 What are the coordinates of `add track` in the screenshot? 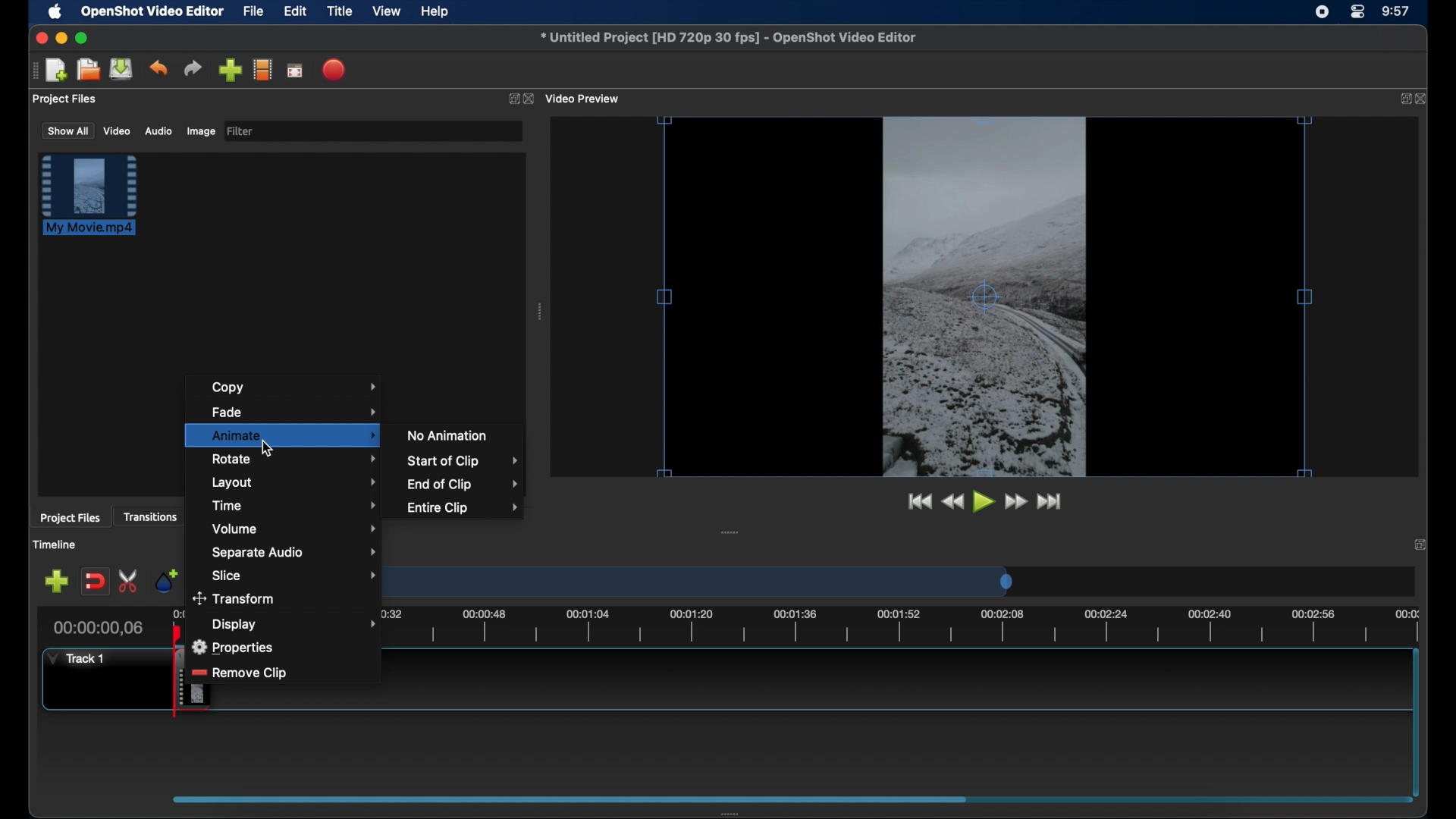 It's located at (56, 582).